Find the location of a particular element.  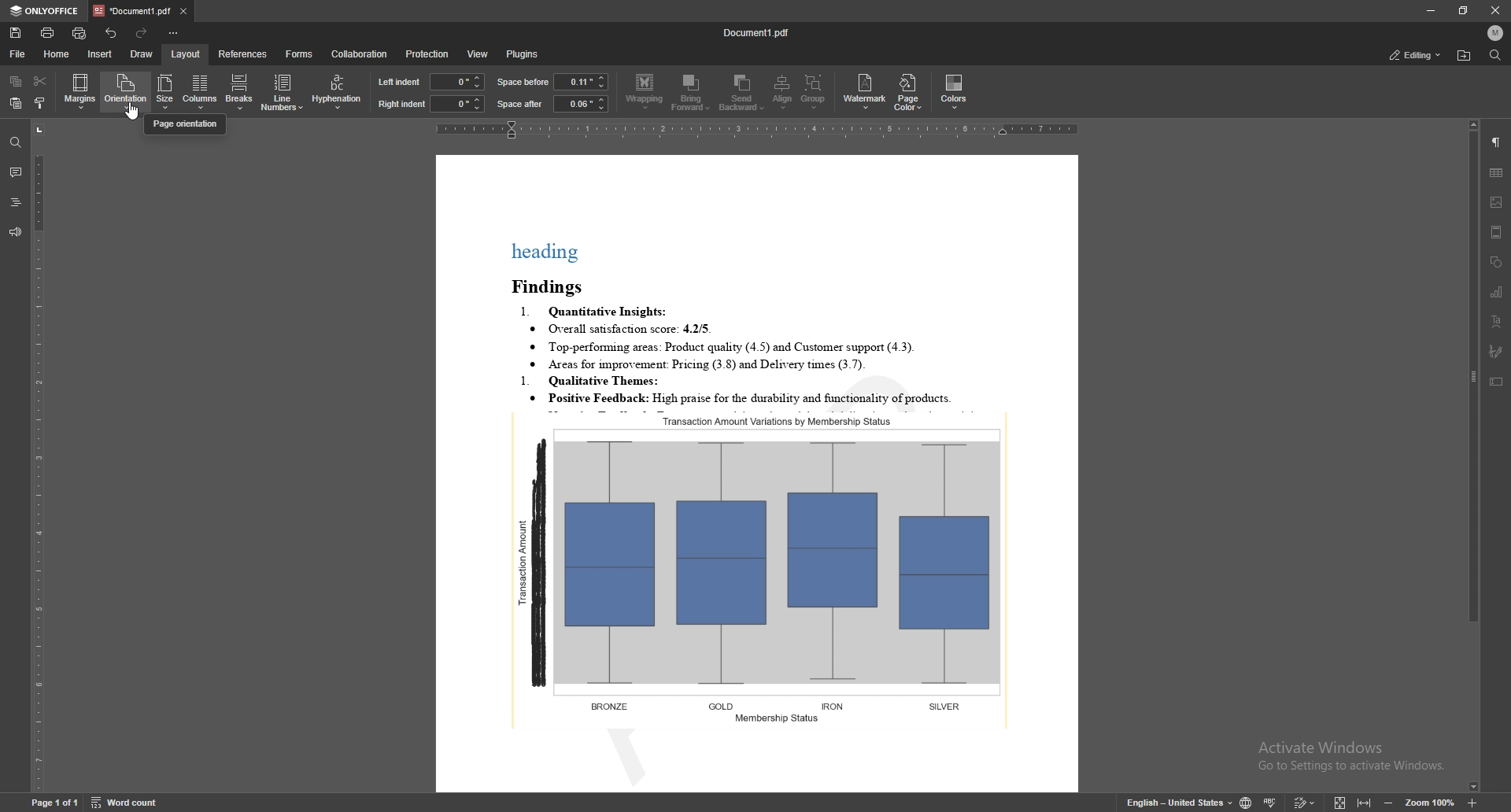

locate file is located at coordinates (1465, 56).